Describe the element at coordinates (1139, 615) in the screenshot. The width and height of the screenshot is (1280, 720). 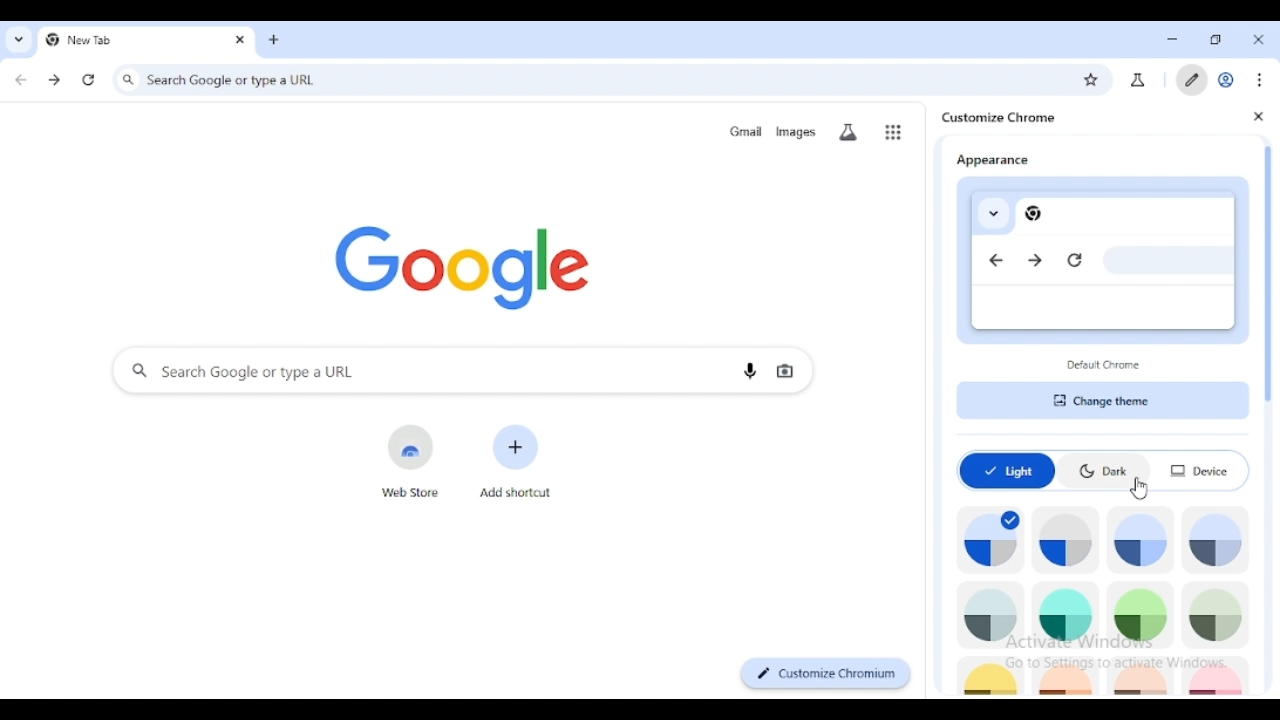
I see `green` at that location.